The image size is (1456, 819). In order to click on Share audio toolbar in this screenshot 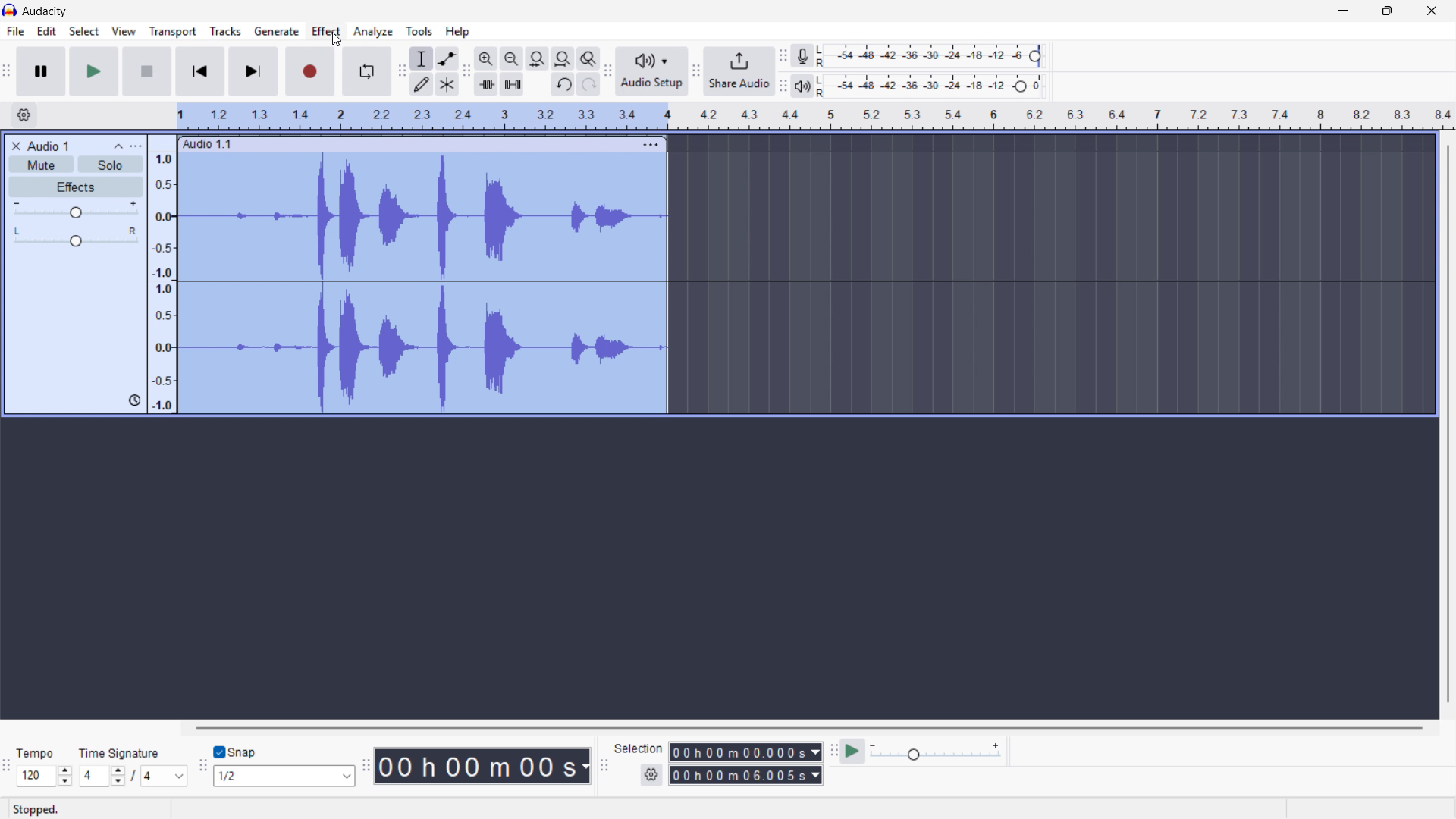, I will do `click(696, 71)`.